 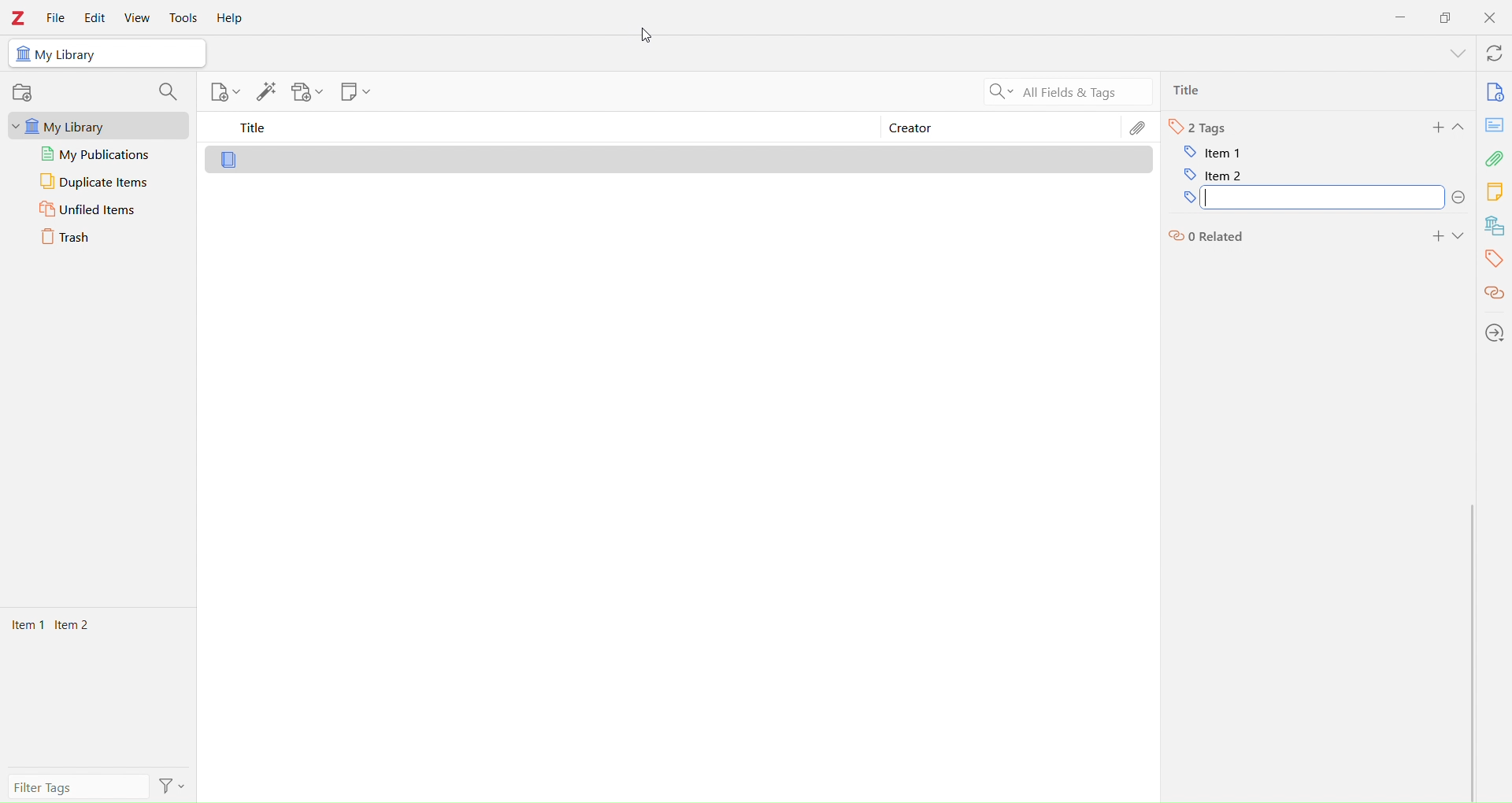 I want to click on item 1, so click(x=1215, y=152).